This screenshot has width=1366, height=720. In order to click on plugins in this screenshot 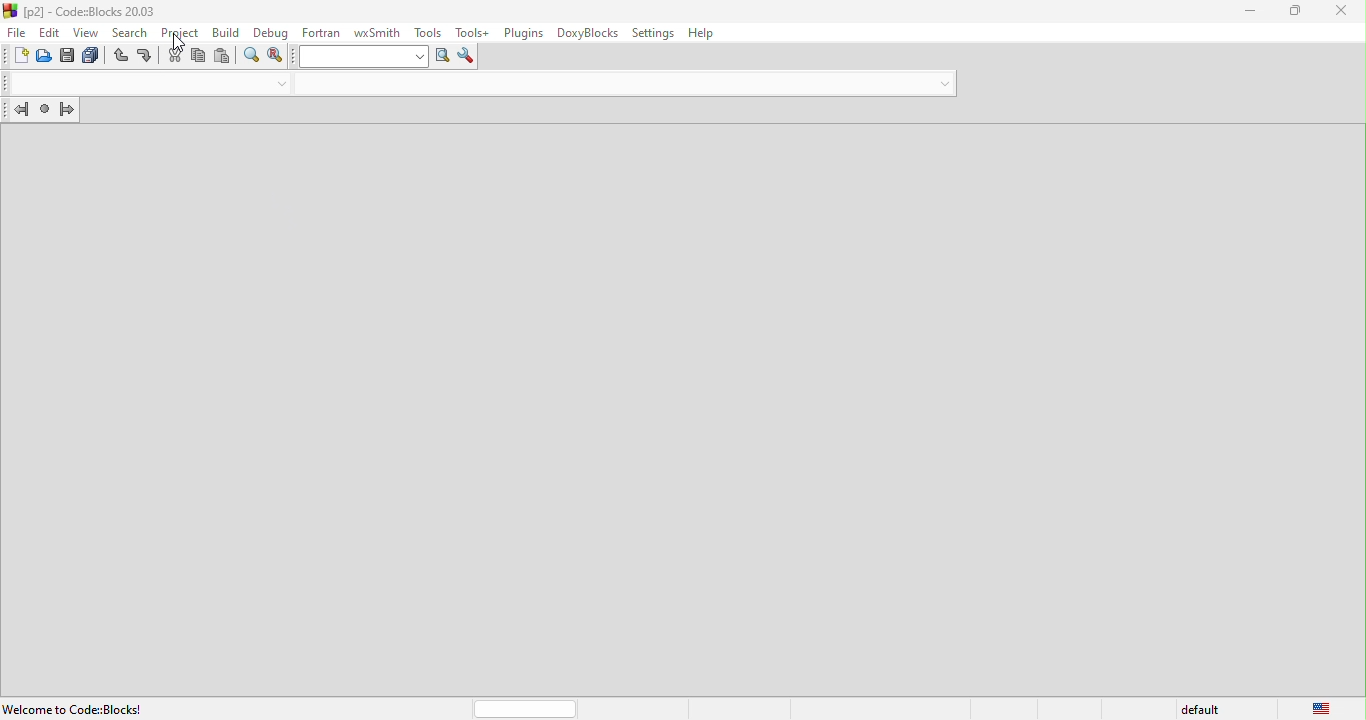, I will do `click(521, 33)`.